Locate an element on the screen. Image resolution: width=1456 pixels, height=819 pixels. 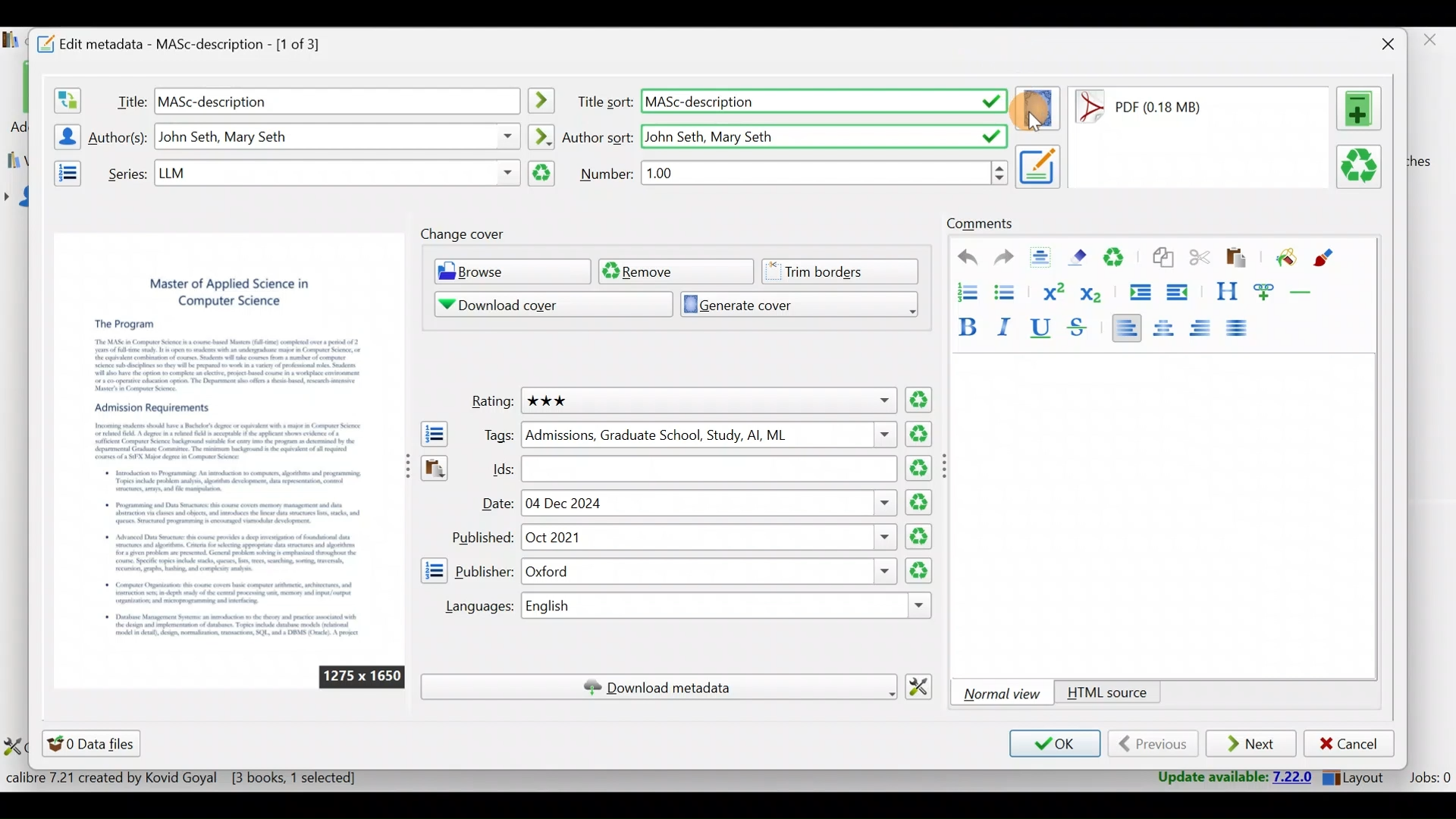
Series is located at coordinates (124, 172).